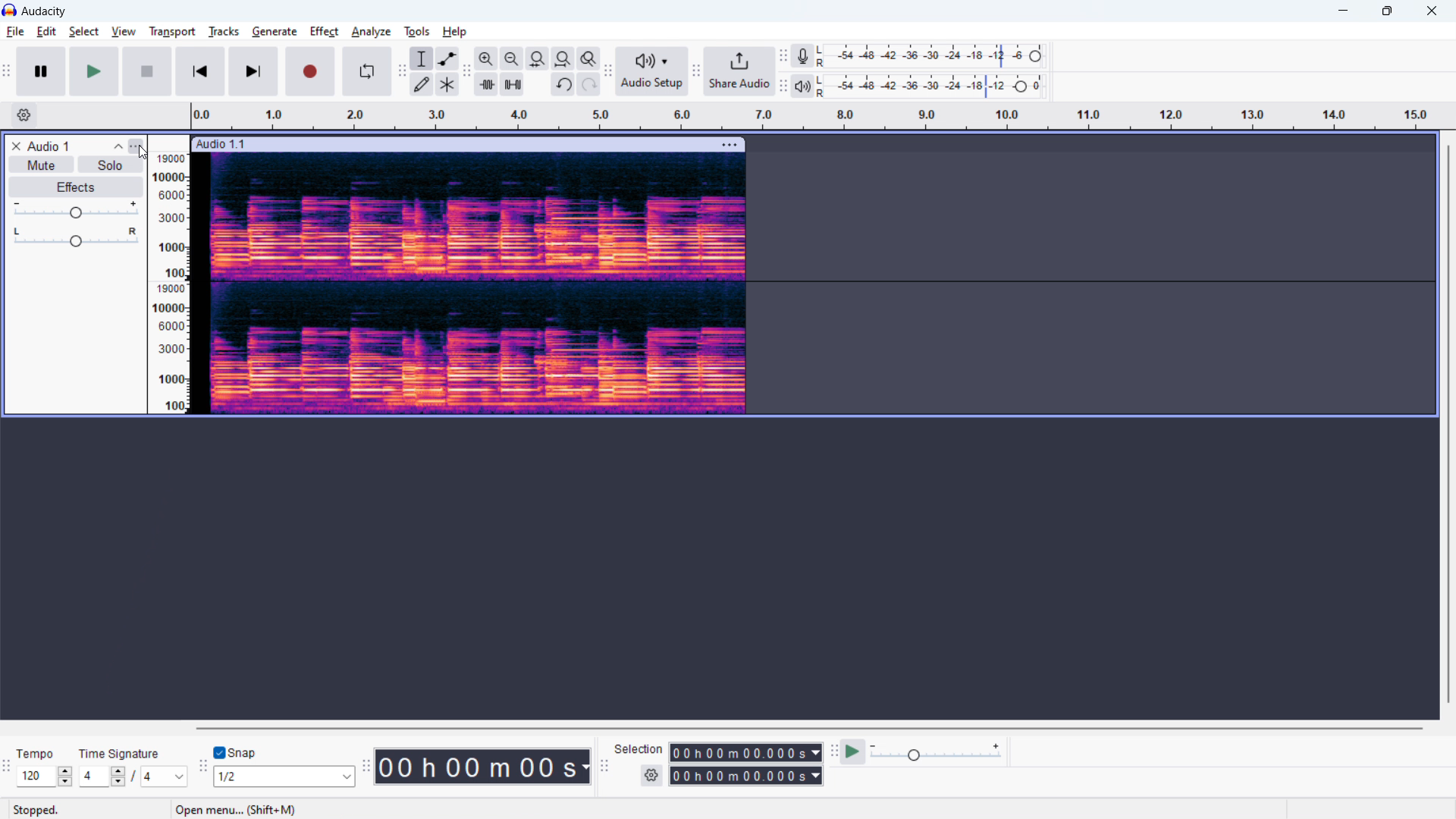  I want to click on close, so click(1431, 11).